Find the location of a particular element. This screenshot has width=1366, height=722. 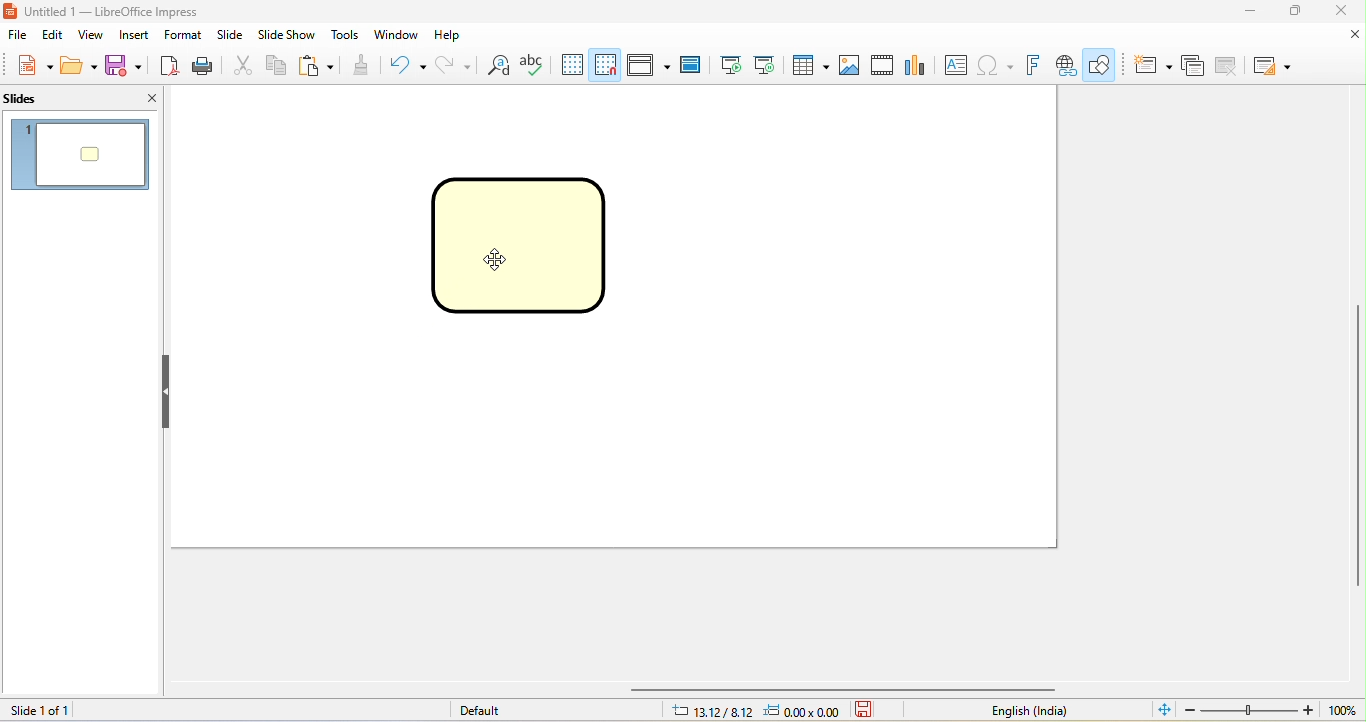

image is located at coordinates (852, 64).